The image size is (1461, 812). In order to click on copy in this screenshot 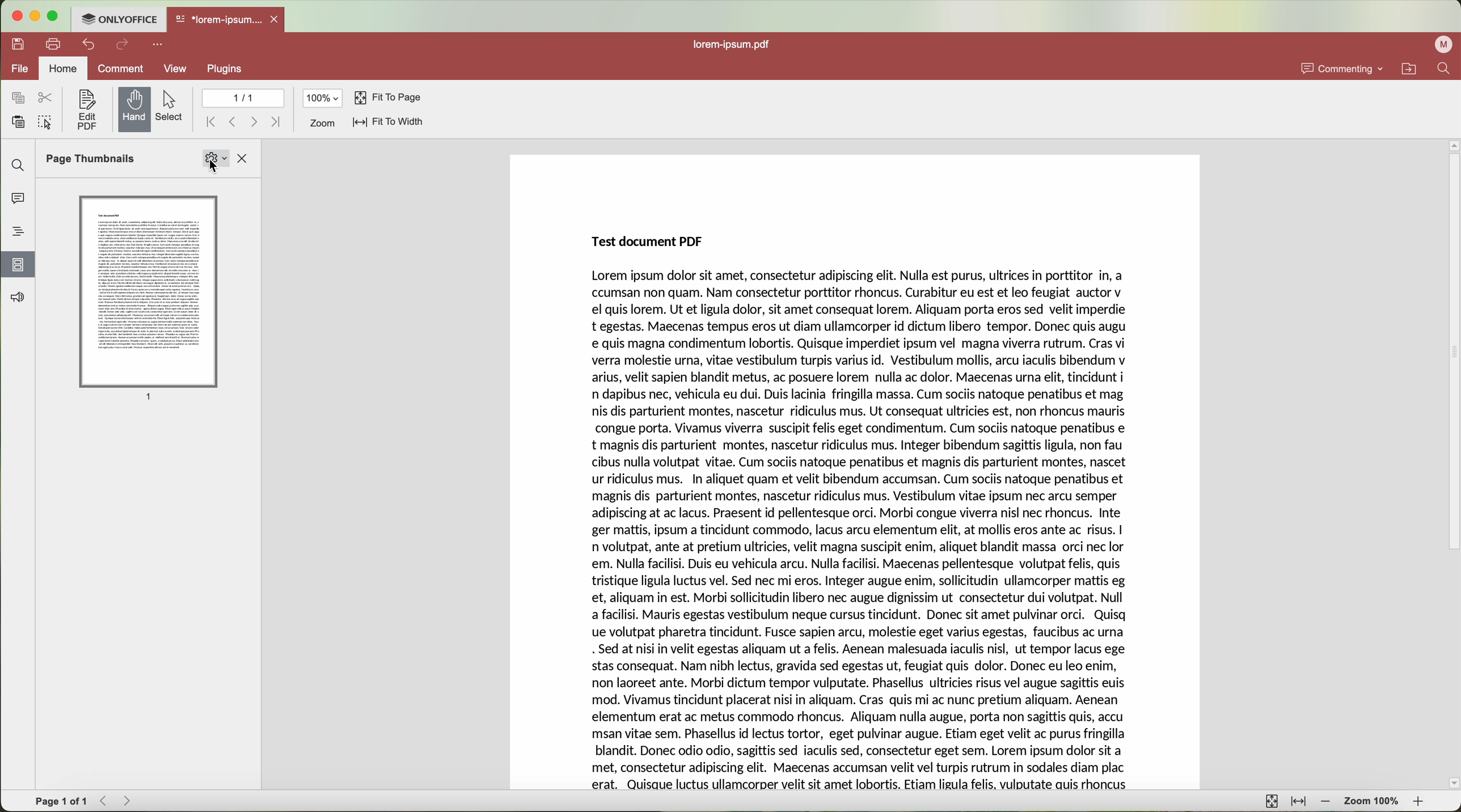, I will do `click(15, 98)`.